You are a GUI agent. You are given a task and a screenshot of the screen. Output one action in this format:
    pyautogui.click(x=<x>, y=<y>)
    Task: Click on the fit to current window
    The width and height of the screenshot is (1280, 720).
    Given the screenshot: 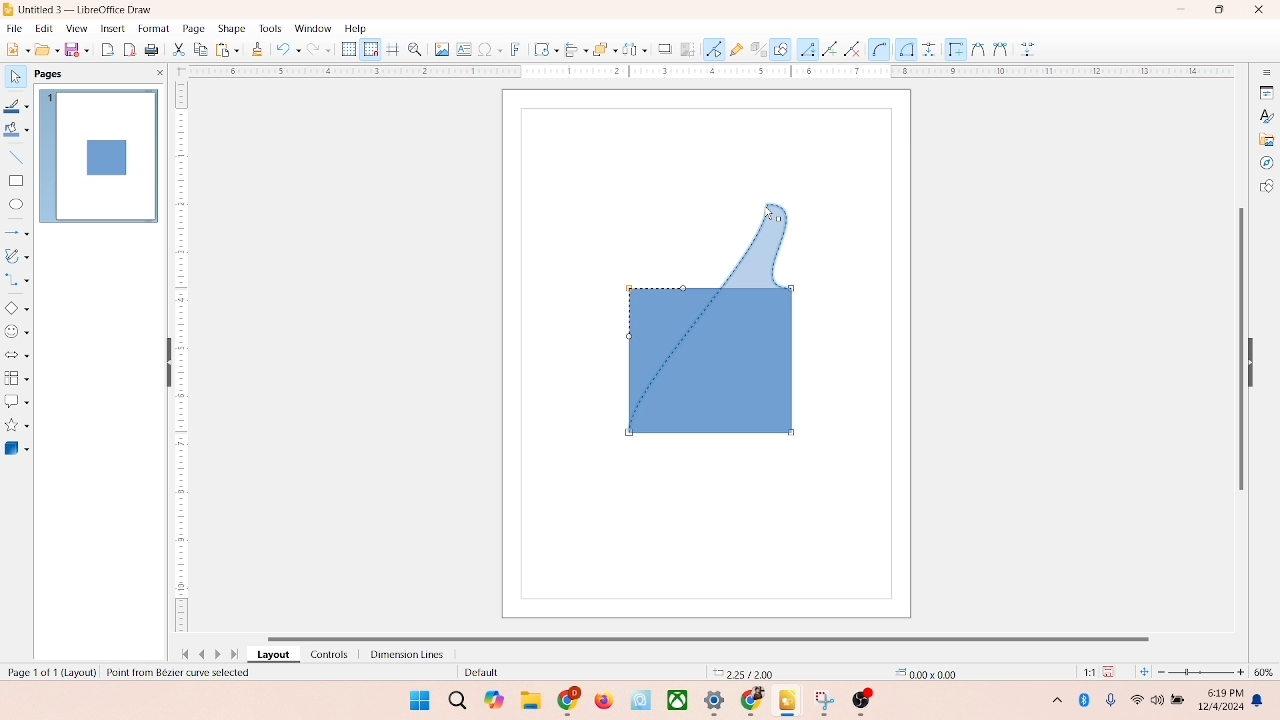 What is the action you would take?
    pyautogui.click(x=1143, y=672)
    